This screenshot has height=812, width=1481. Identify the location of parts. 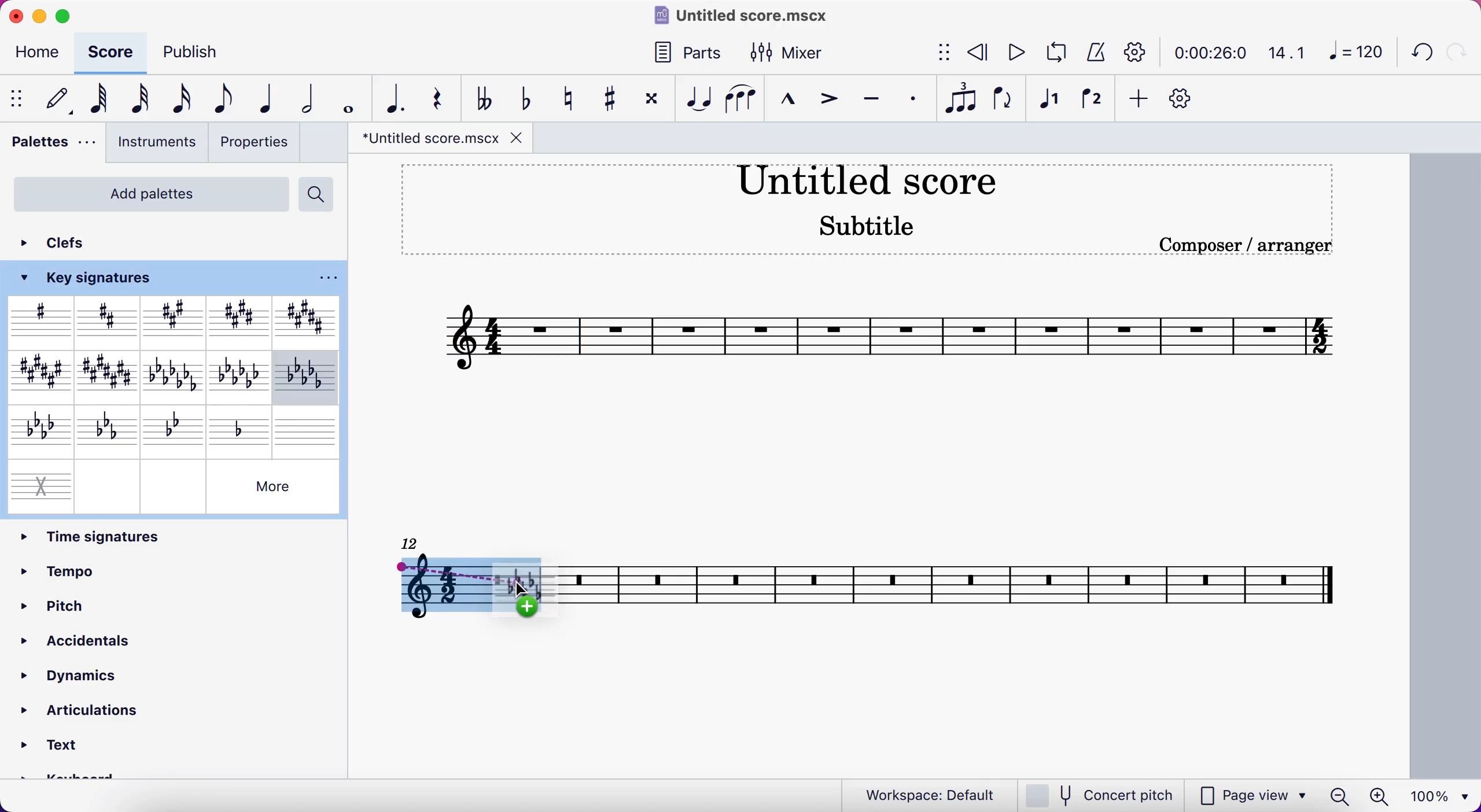
(691, 54).